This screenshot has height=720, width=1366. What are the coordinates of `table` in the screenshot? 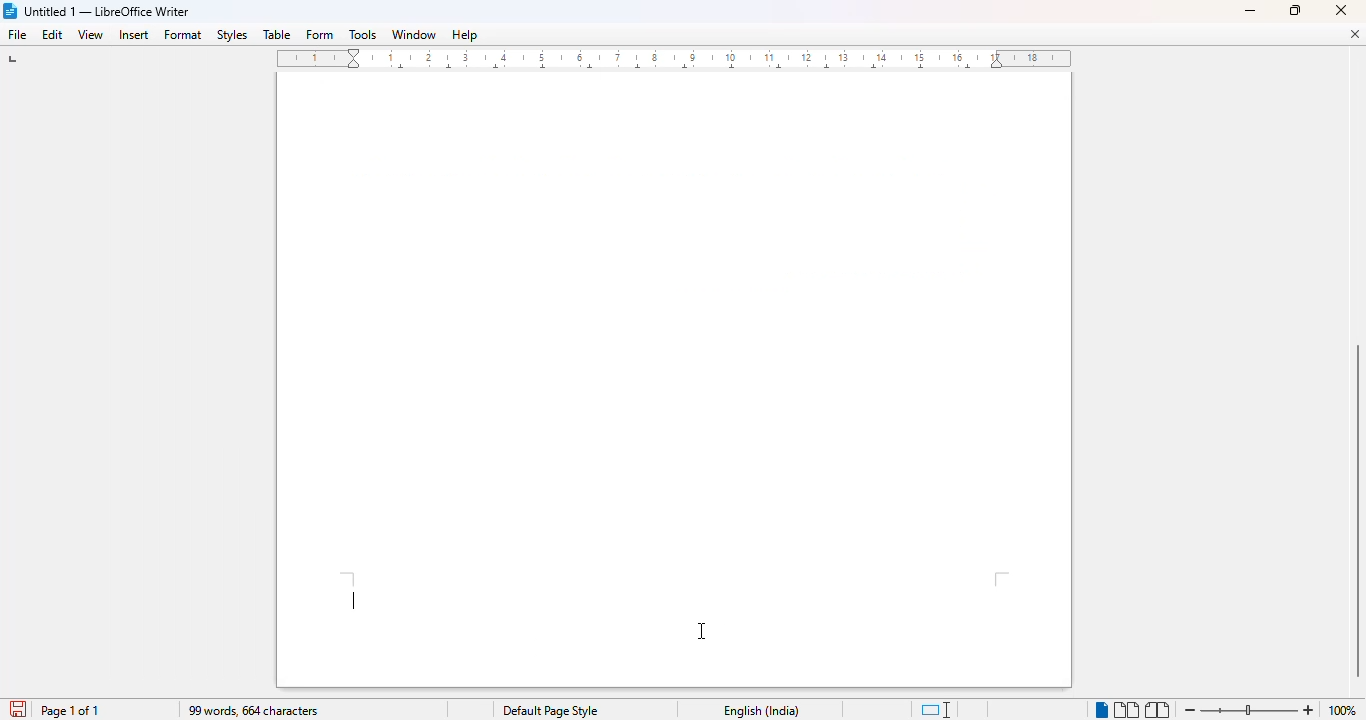 It's located at (277, 35).